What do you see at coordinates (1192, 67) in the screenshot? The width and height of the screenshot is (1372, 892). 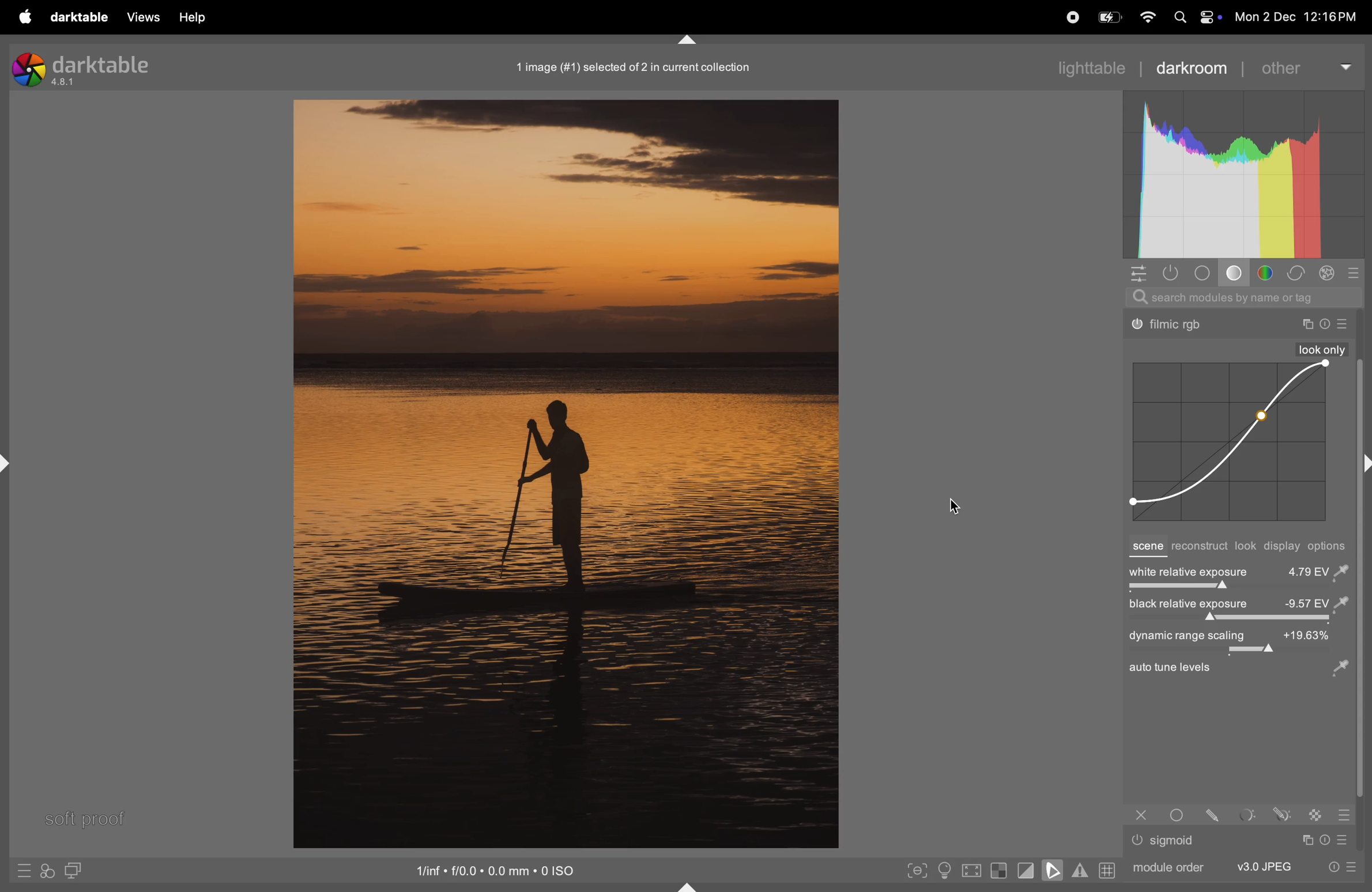 I see `darkroom` at bounding box center [1192, 67].